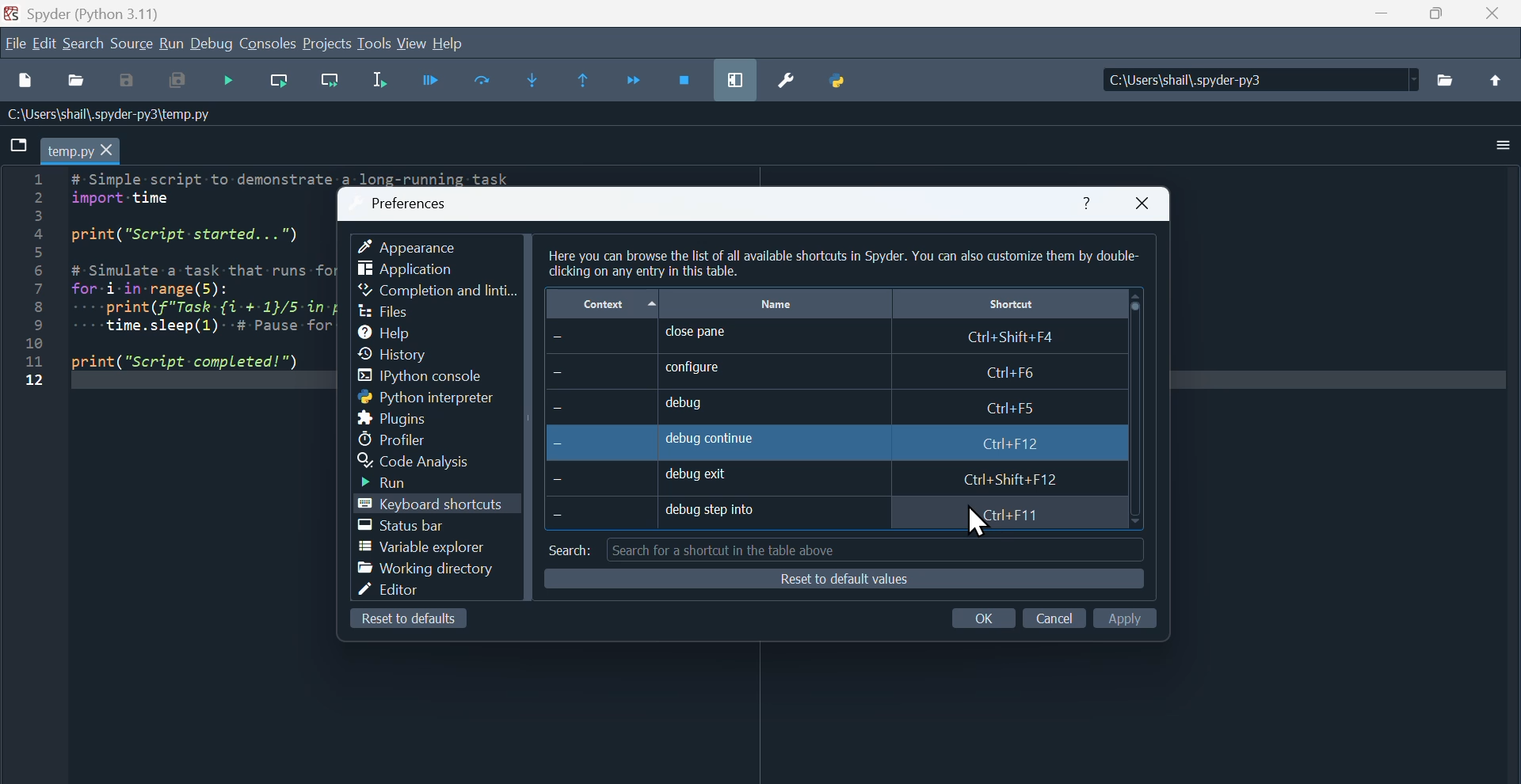 This screenshot has height=784, width=1521. Describe the element at coordinates (778, 302) in the screenshot. I see `Name` at that location.